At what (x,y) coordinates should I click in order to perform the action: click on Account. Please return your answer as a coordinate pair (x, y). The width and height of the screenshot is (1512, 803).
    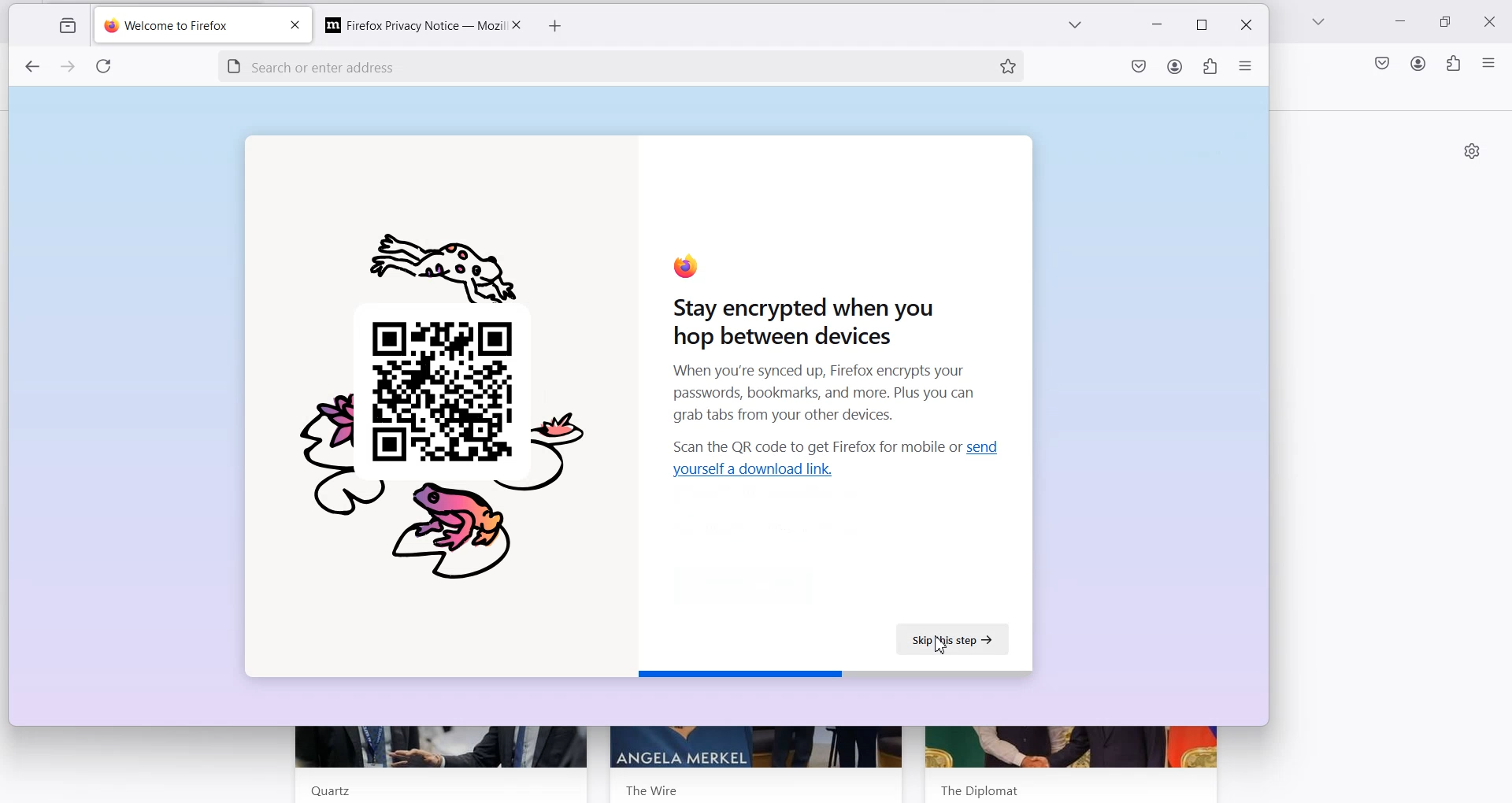
    Looking at the image, I should click on (1418, 63).